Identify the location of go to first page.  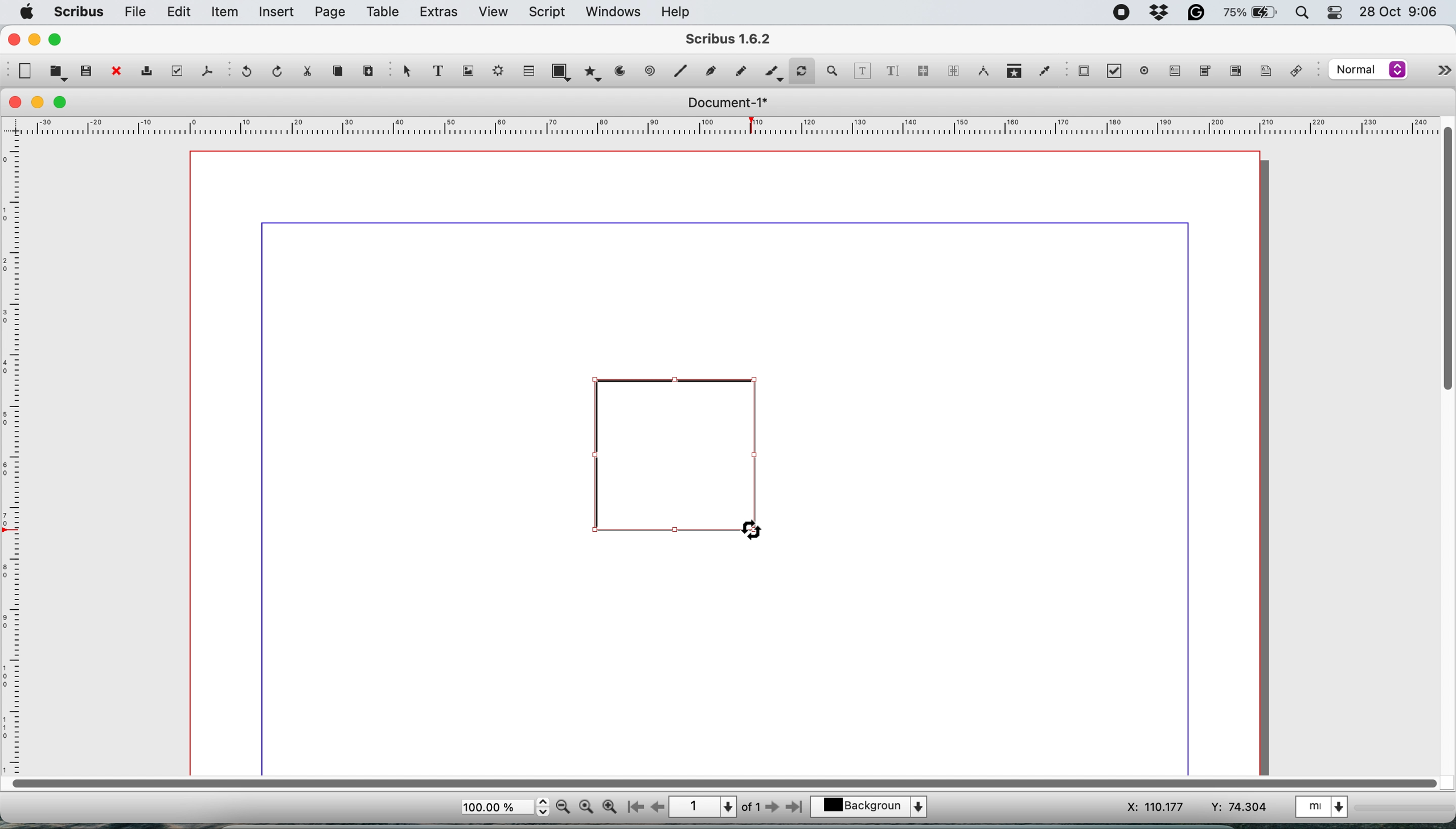
(634, 807).